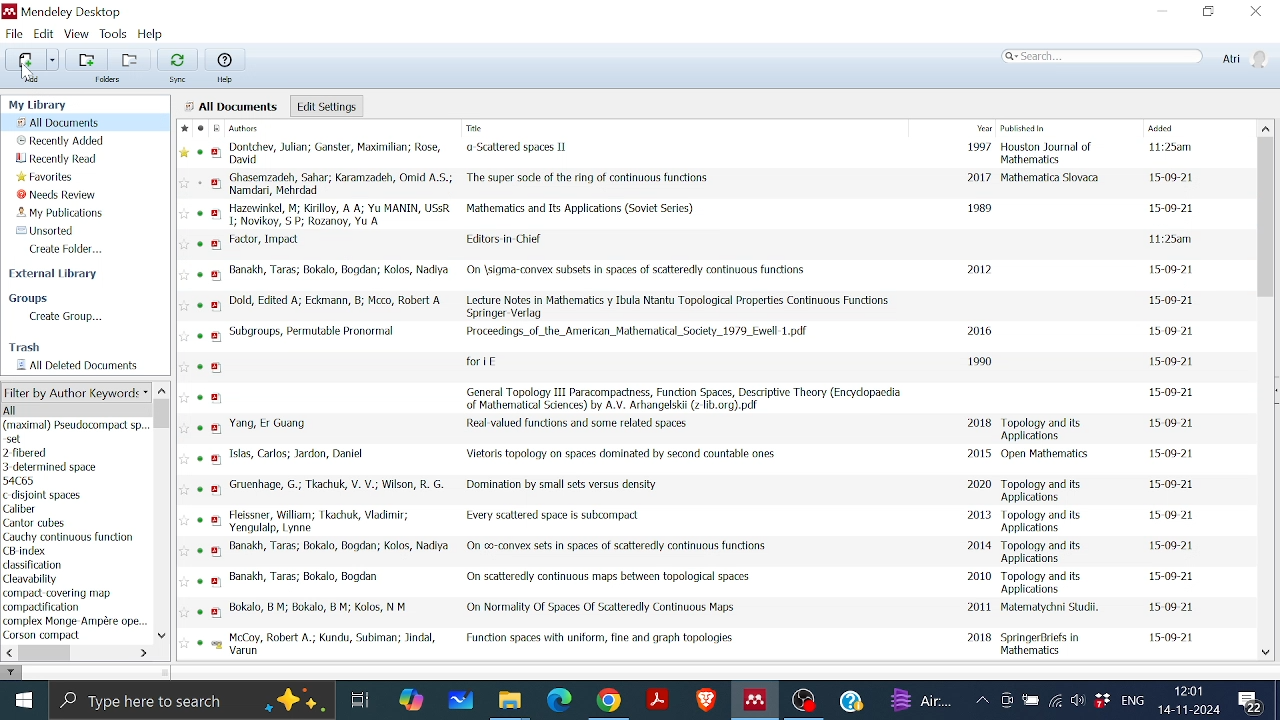 The image size is (1280, 720). What do you see at coordinates (925, 701) in the screenshot?
I see `weather` at bounding box center [925, 701].